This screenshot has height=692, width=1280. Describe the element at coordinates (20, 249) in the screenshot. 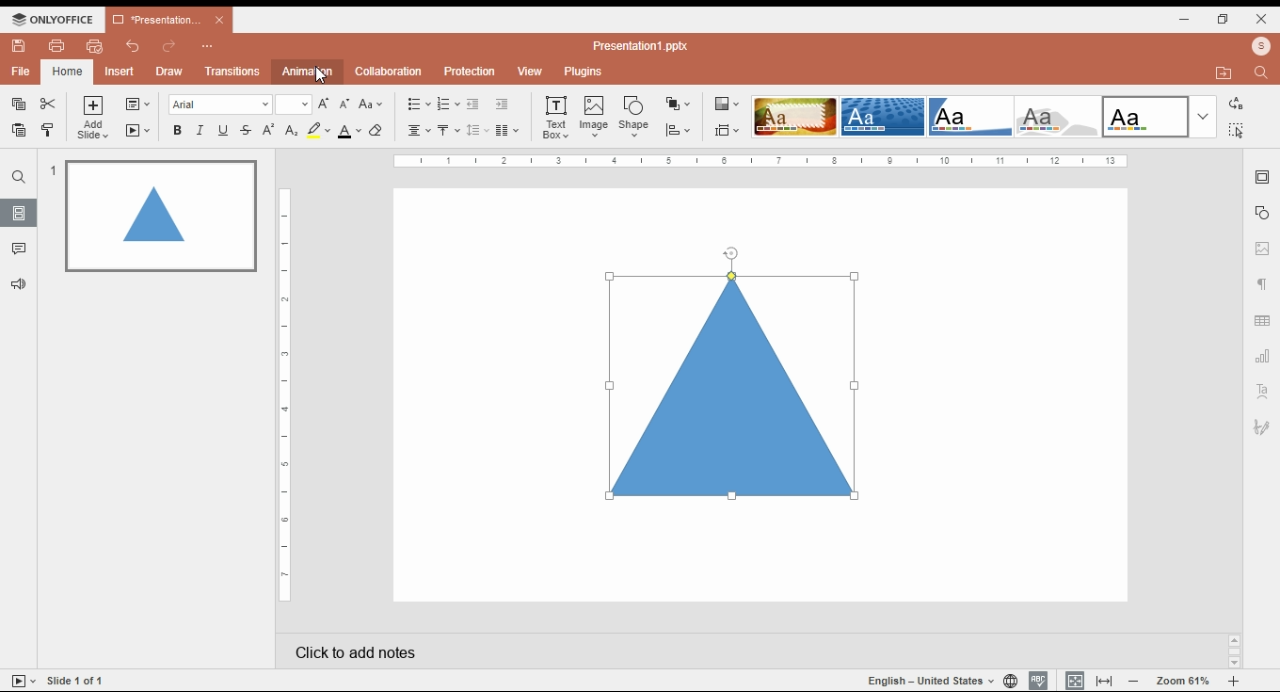

I see `comments` at that location.